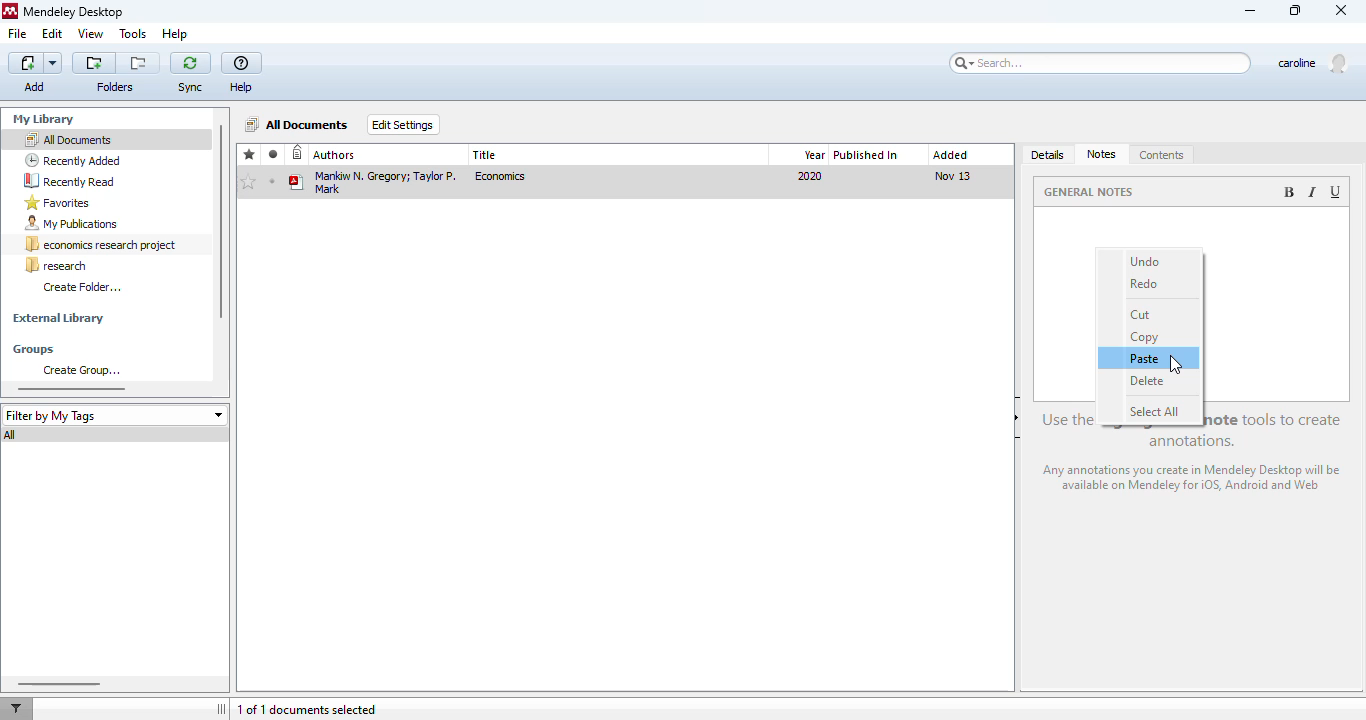 The height and width of the screenshot is (720, 1366). I want to click on added, so click(950, 155).